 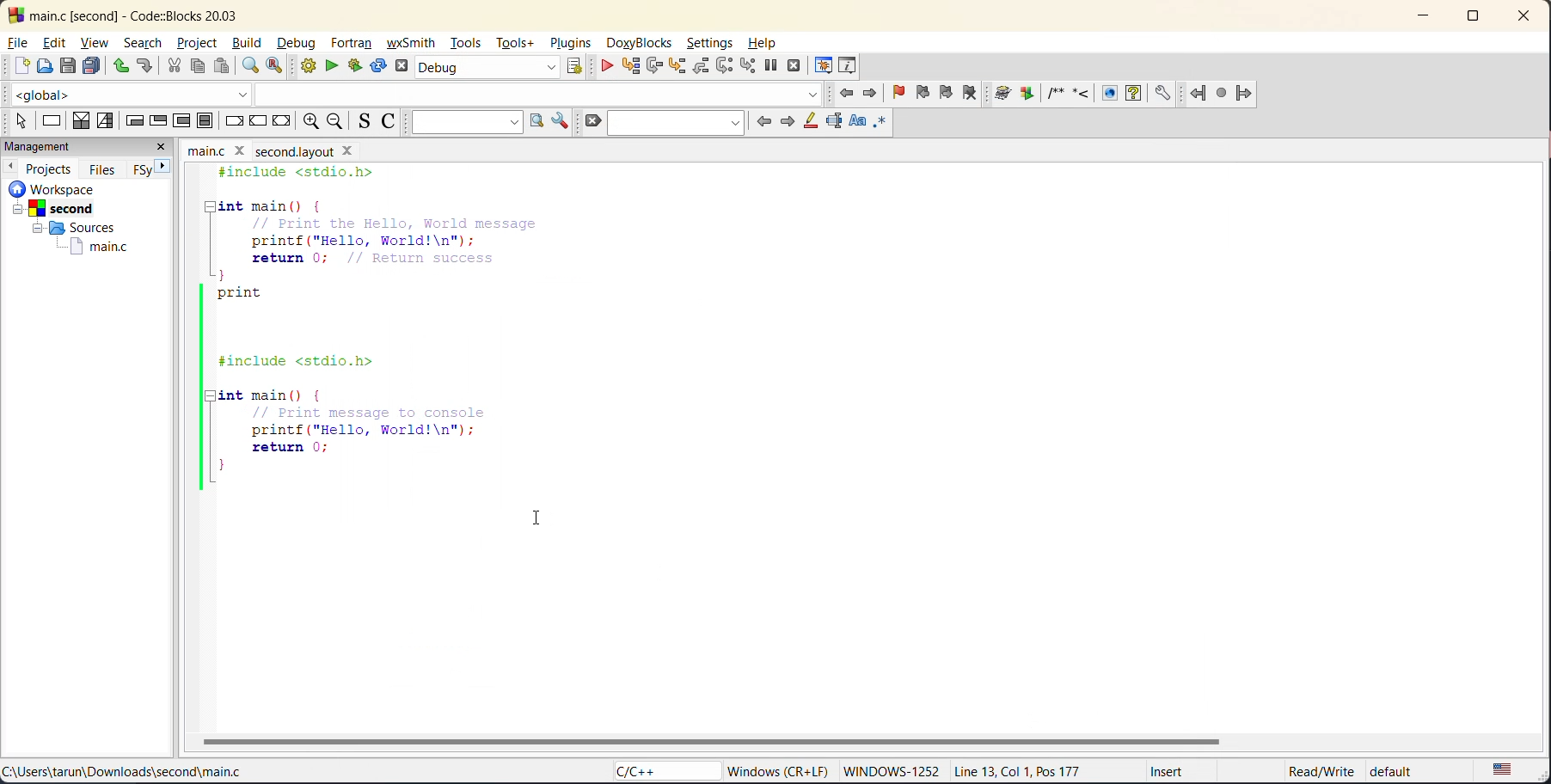 What do you see at coordinates (51, 167) in the screenshot?
I see `projects` at bounding box center [51, 167].